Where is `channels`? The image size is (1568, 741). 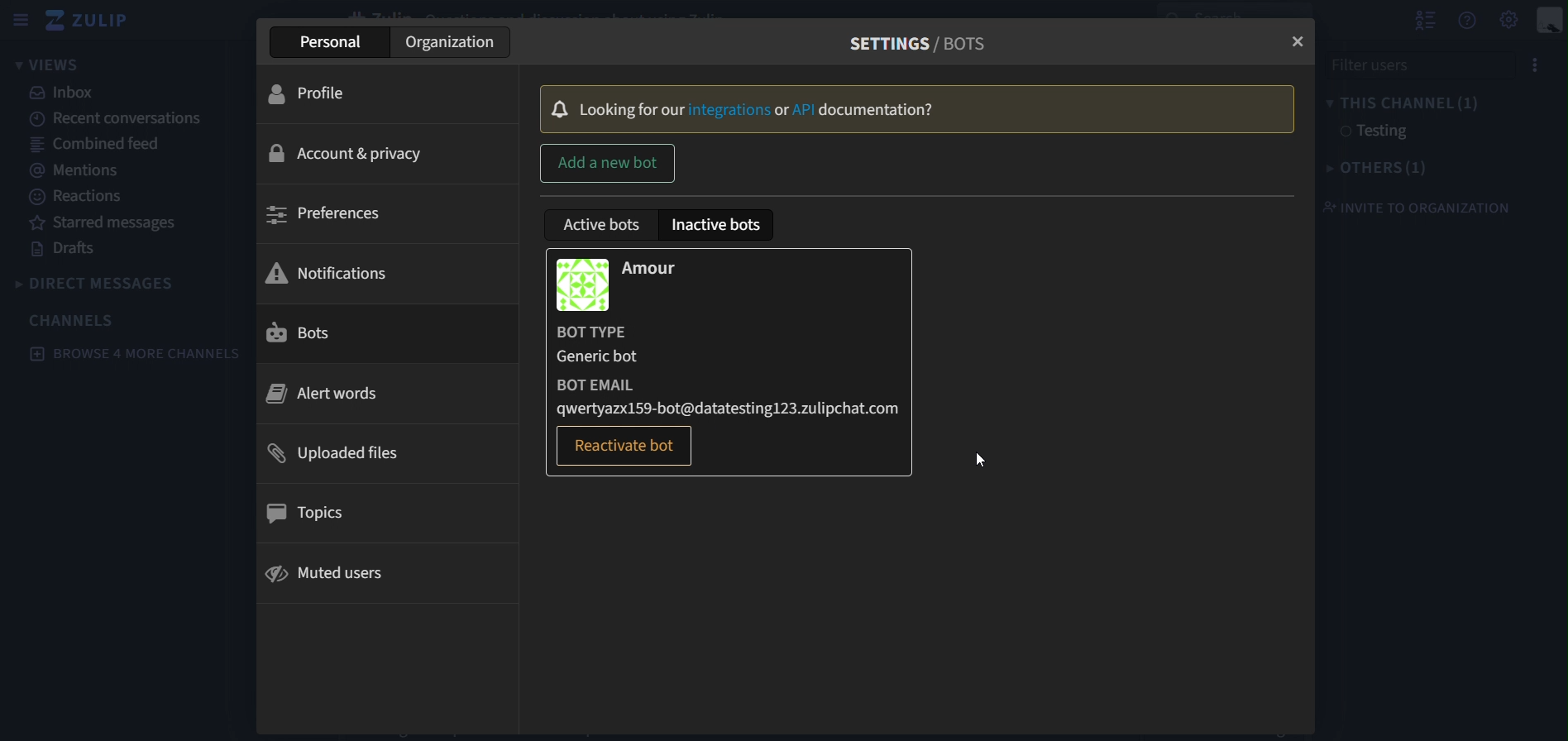 channels is located at coordinates (74, 320).